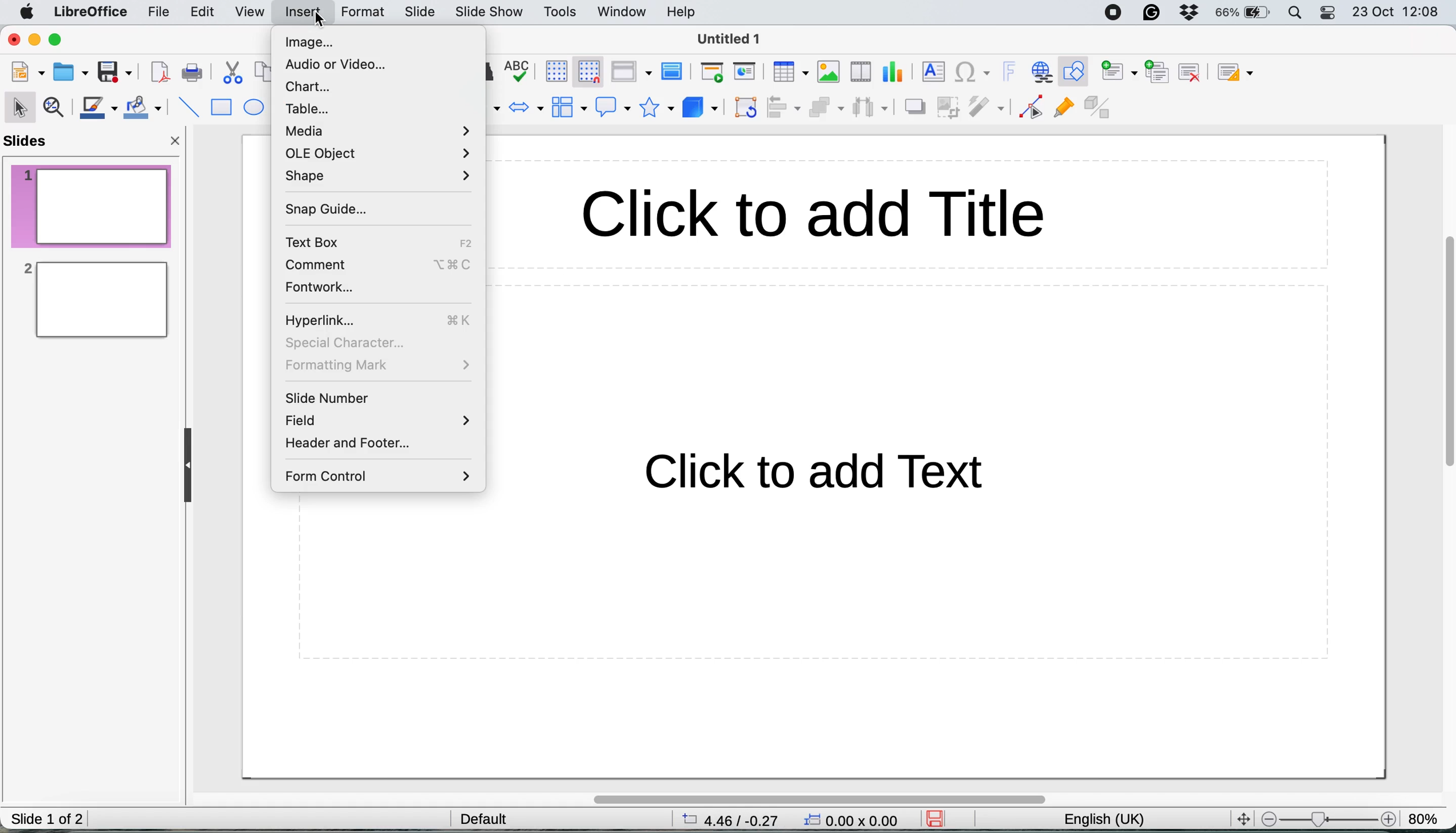 The height and width of the screenshot is (833, 1456). Describe the element at coordinates (324, 209) in the screenshot. I see `snap guide` at that location.